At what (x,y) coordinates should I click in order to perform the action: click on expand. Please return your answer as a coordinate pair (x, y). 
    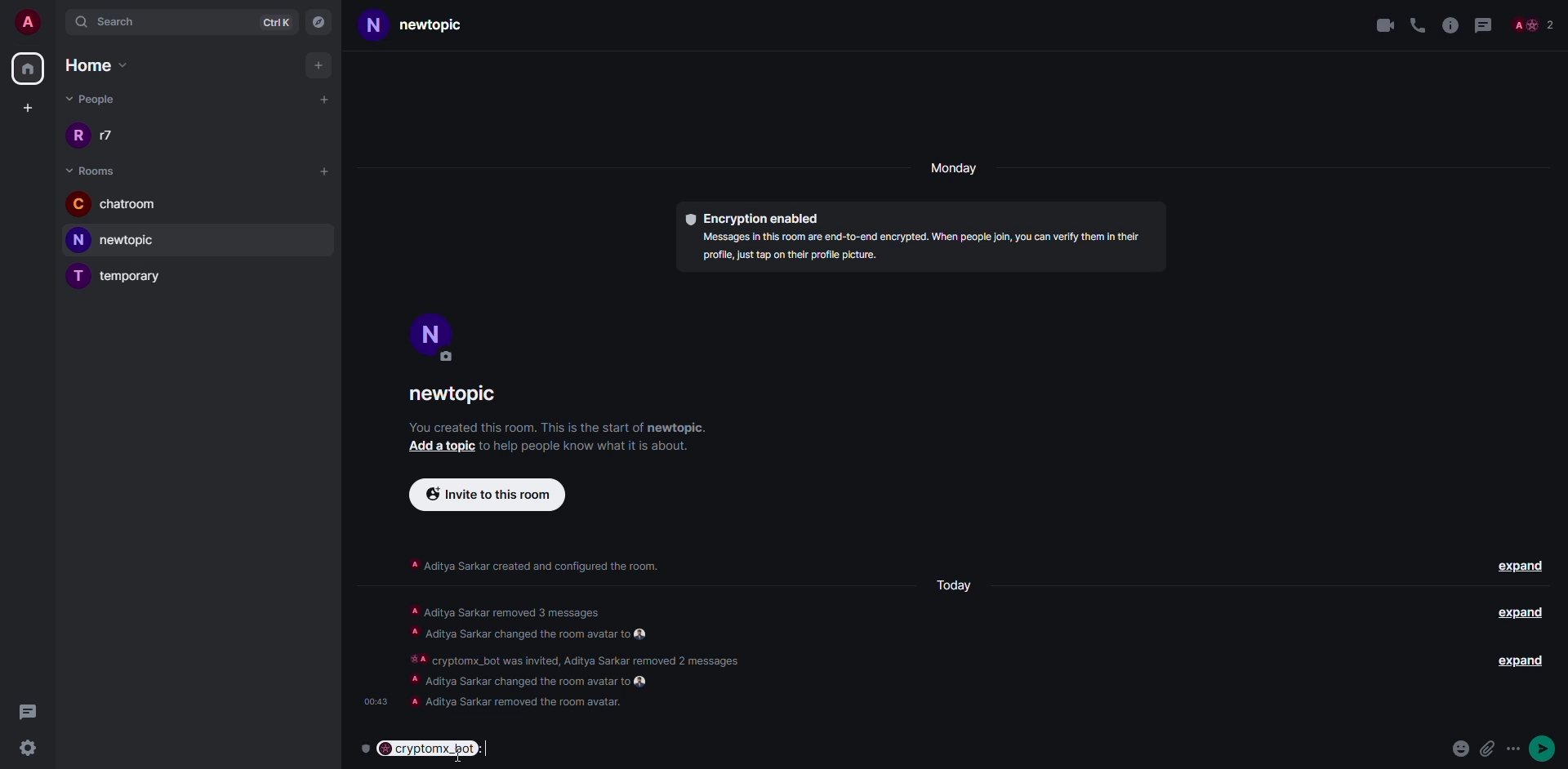
    Looking at the image, I should click on (1518, 612).